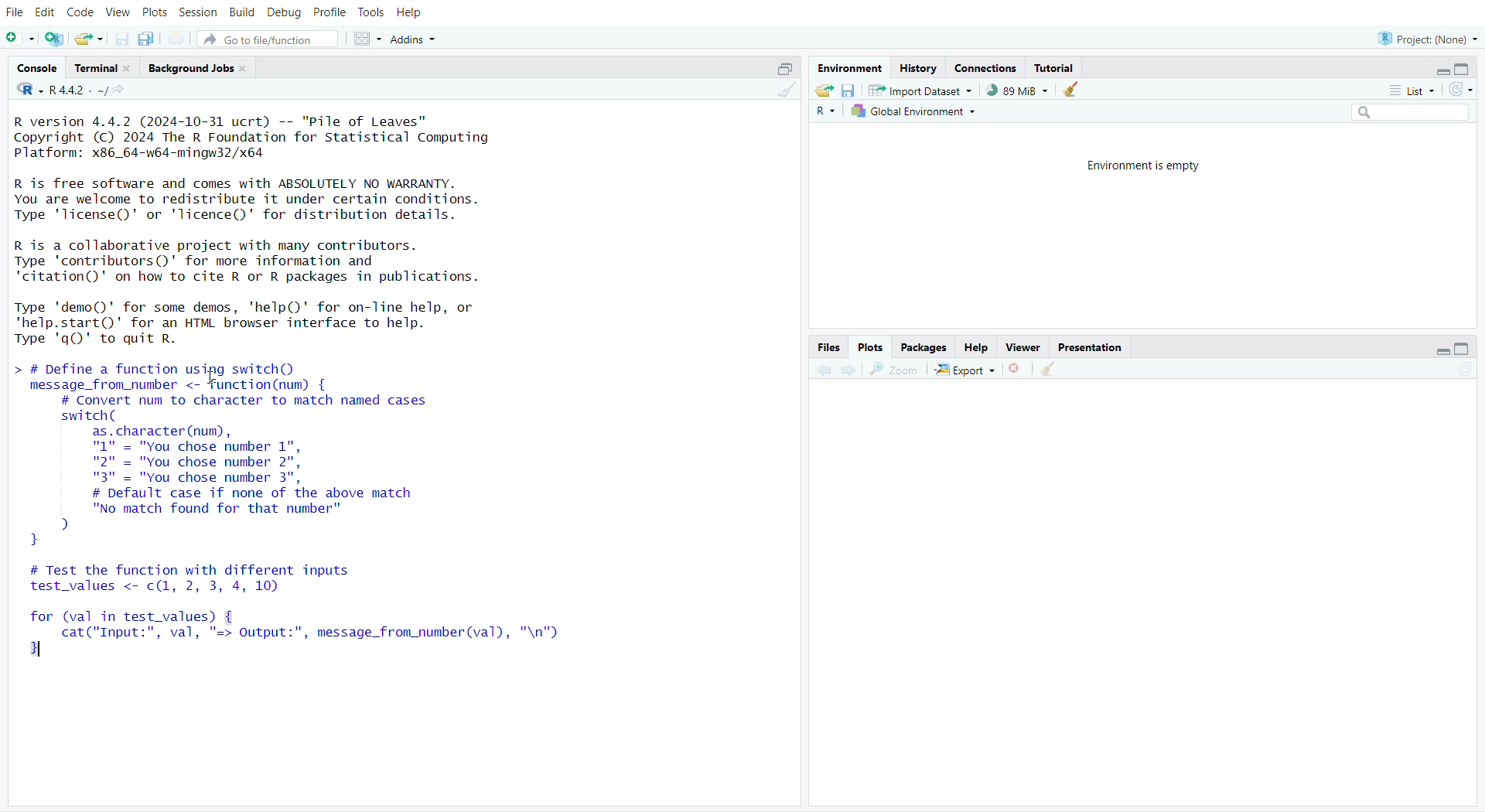 The width and height of the screenshot is (1485, 812). What do you see at coordinates (1412, 113) in the screenshot?
I see `Search filter` at bounding box center [1412, 113].